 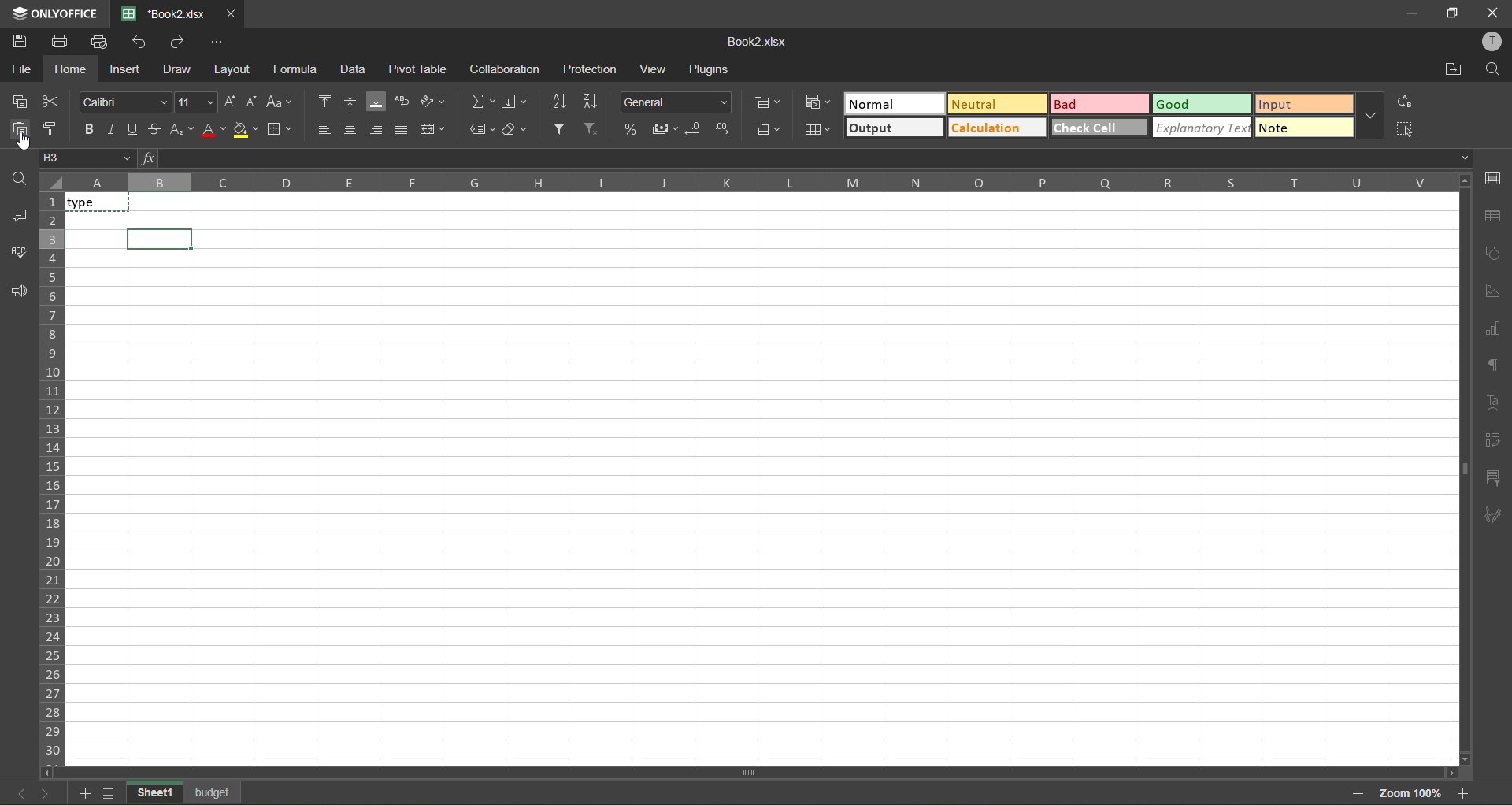 What do you see at coordinates (765, 509) in the screenshot?
I see `cell input` at bounding box center [765, 509].